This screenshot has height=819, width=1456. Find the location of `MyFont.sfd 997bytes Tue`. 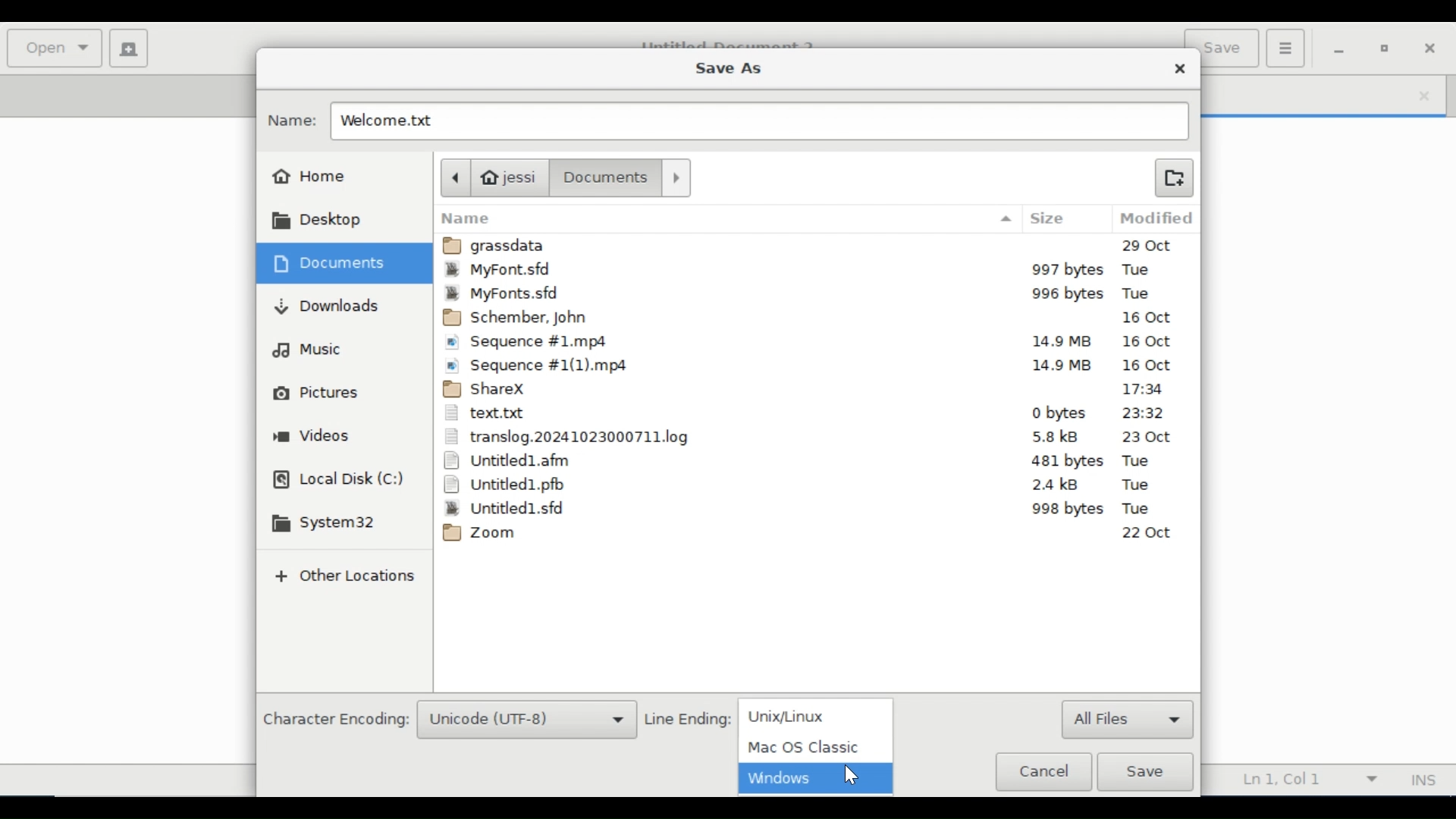

MyFont.sfd 997bytes Tue is located at coordinates (817, 271).